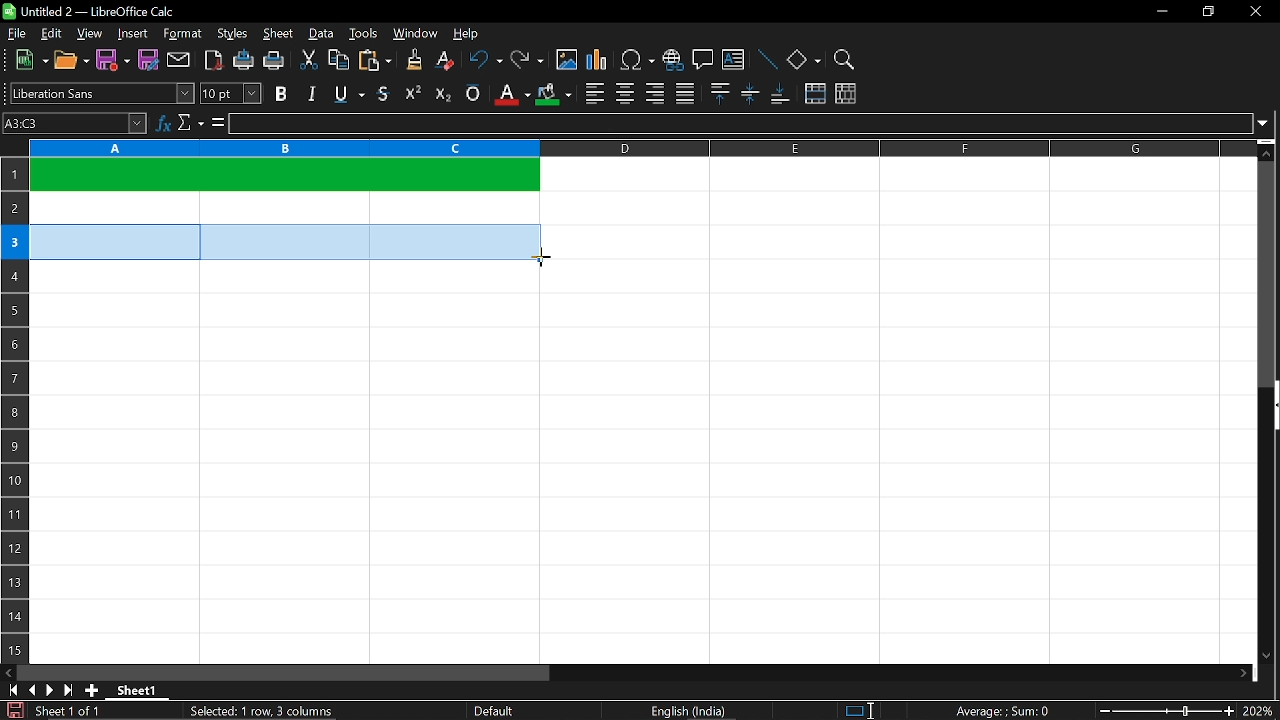 This screenshot has height=720, width=1280. I want to click on print directly, so click(242, 61).